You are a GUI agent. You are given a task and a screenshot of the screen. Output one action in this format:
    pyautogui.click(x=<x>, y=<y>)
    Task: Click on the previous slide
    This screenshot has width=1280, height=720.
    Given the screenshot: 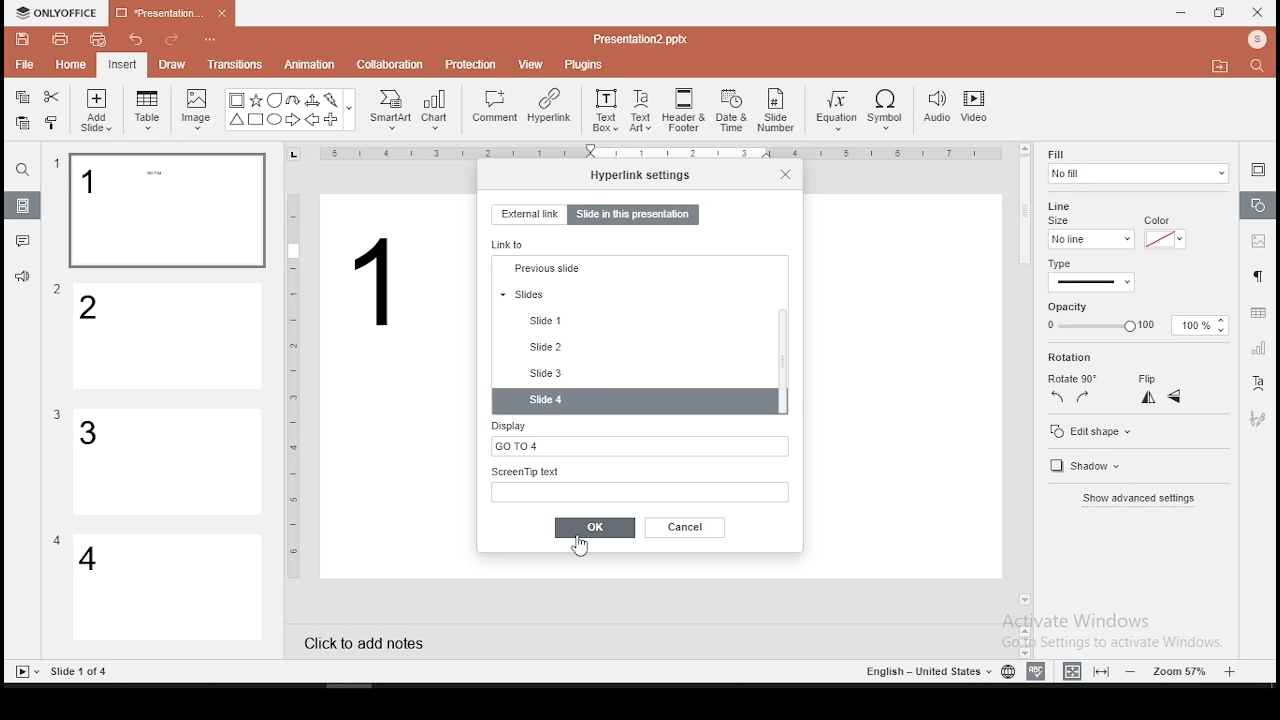 What is the action you would take?
    pyautogui.click(x=633, y=347)
    